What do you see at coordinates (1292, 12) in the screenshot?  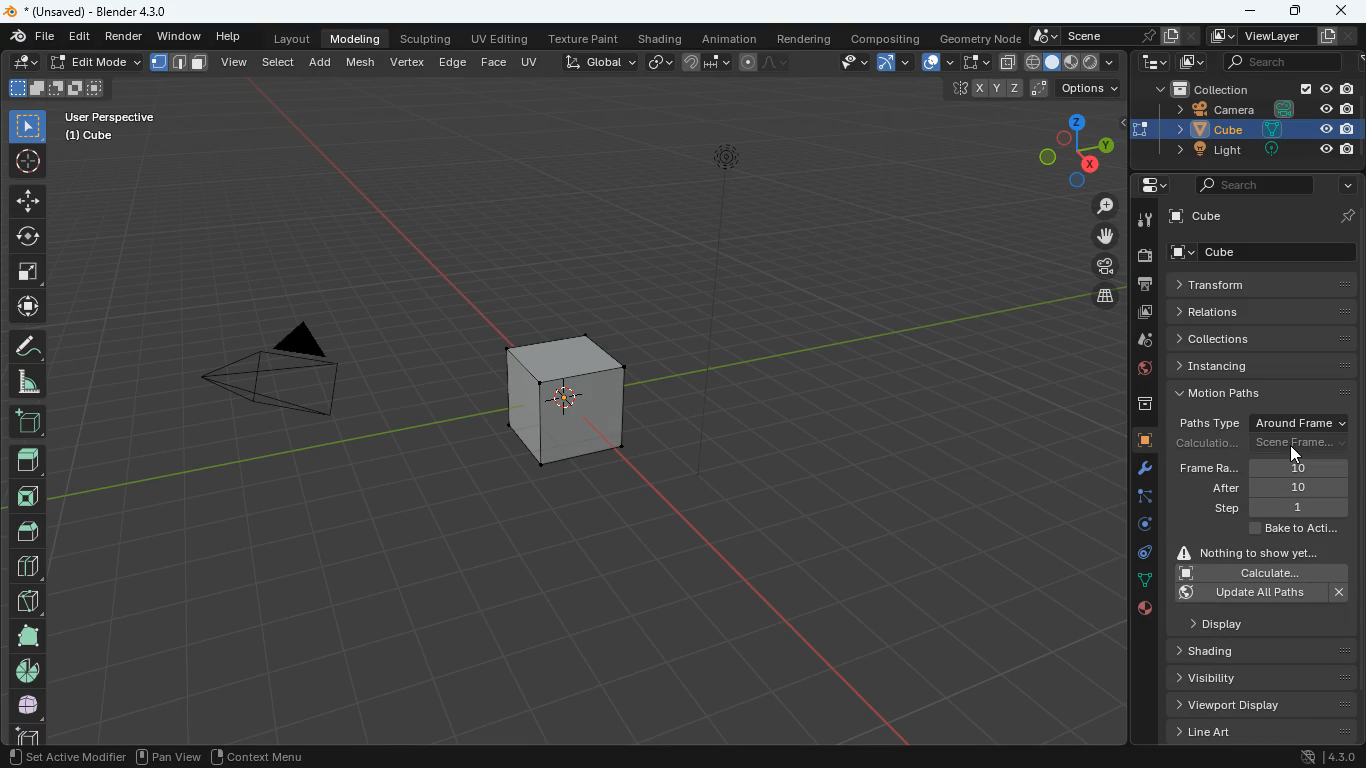 I see `maximize` at bounding box center [1292, 12].